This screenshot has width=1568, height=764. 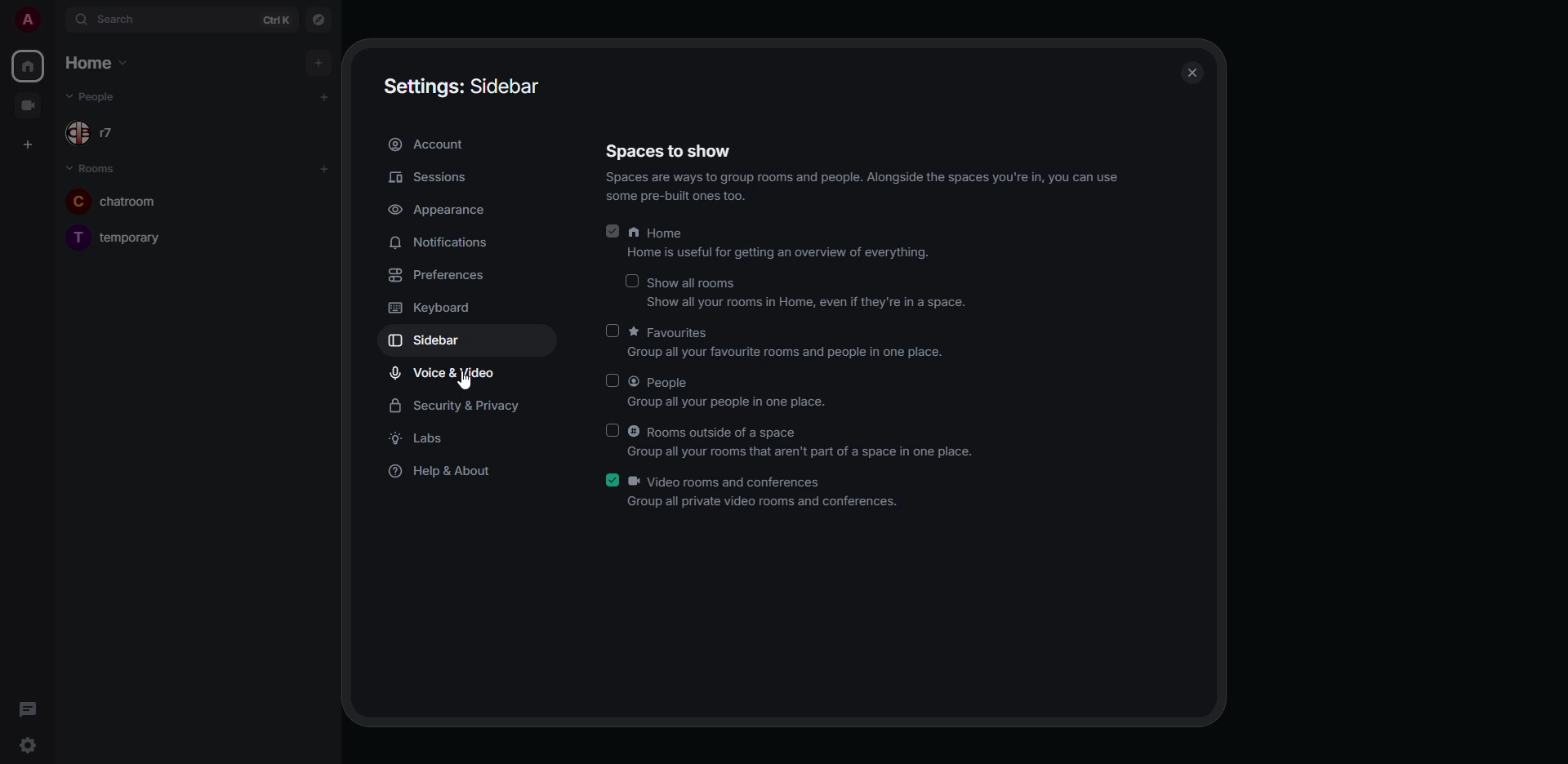 What do you see at coordinates (767, 493) in the screenshot?
I see `video rooms and conferences` at bounding box center [767, 493].